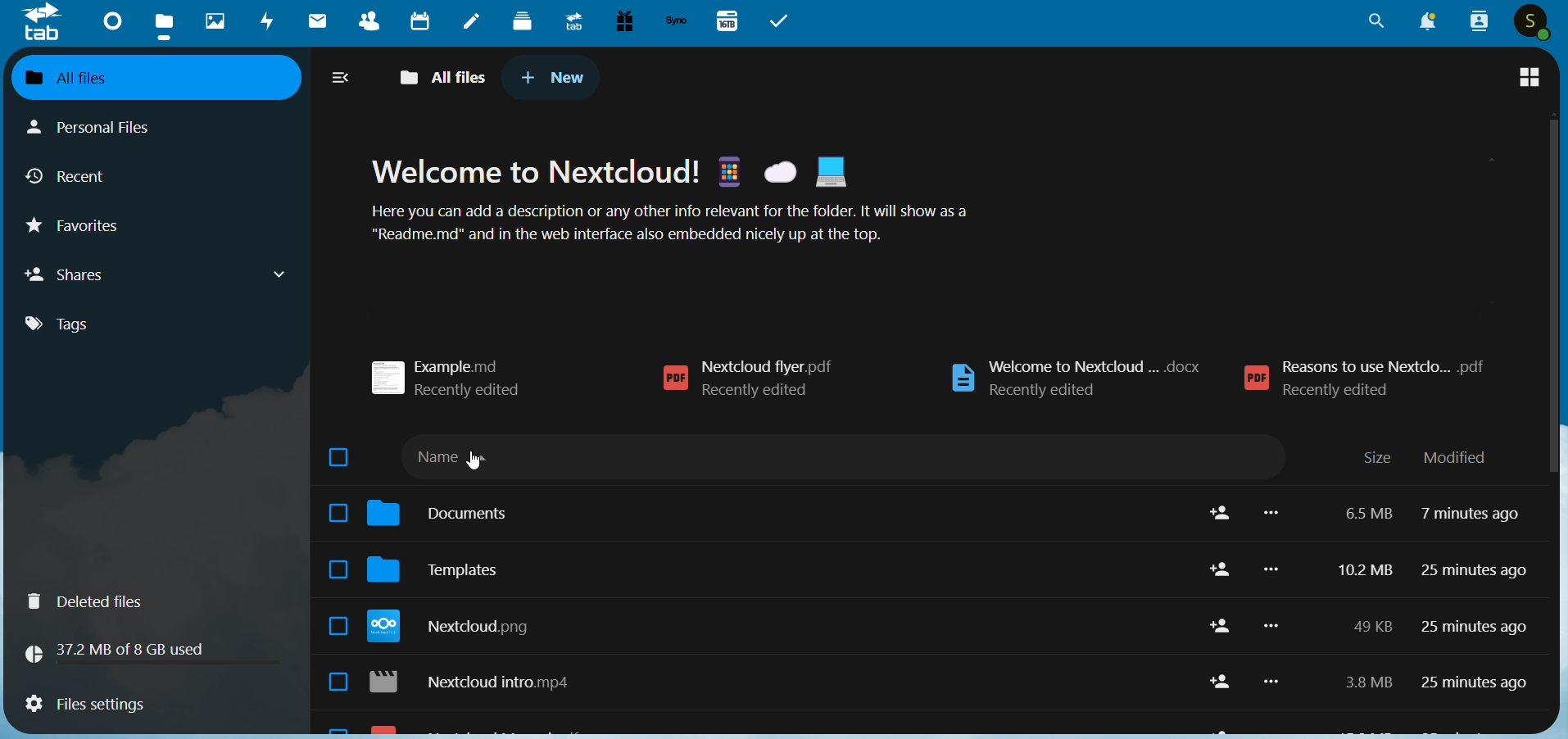  I want to click on Photos, so click(213, 20).